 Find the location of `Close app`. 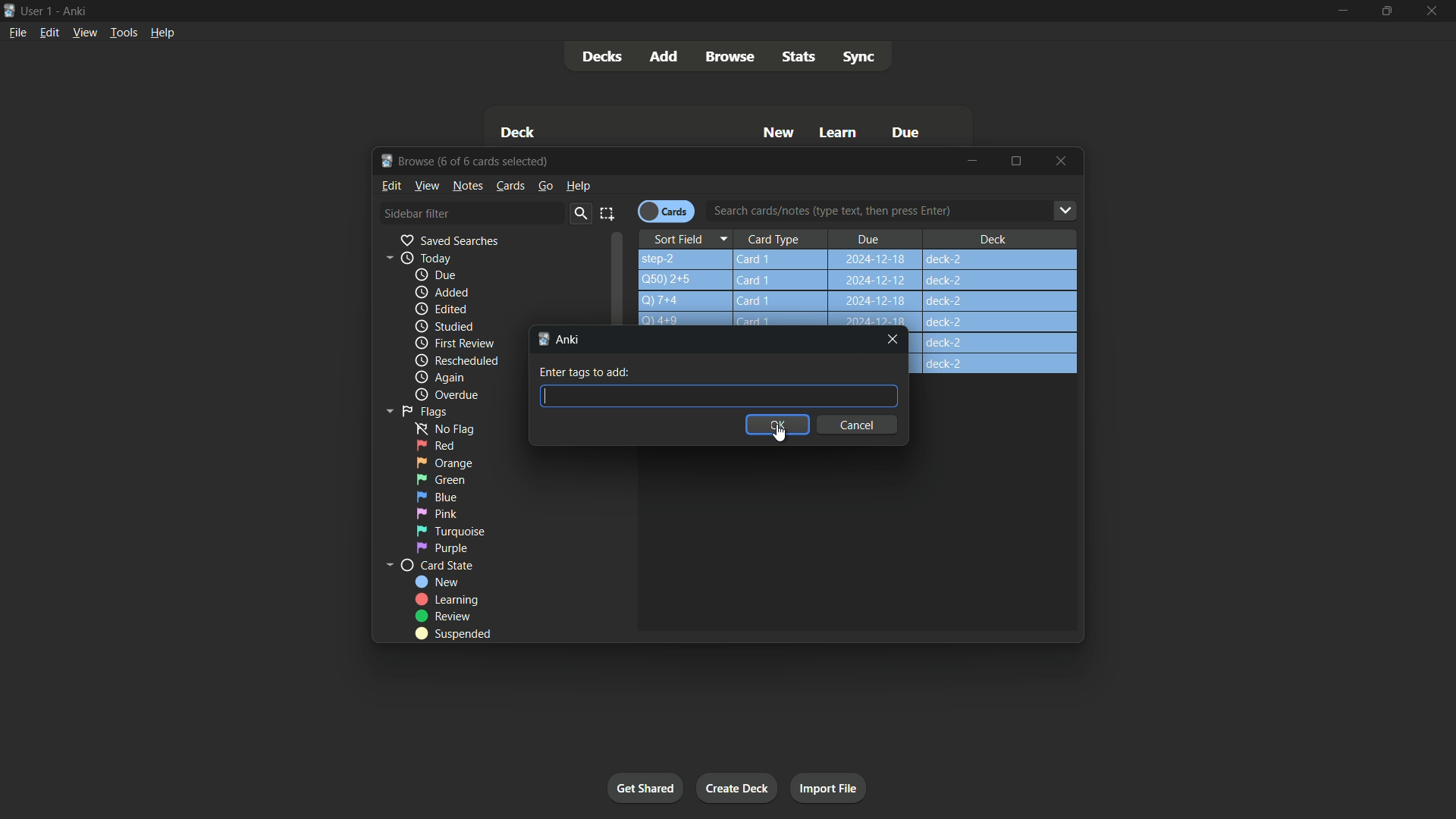

Close app is located at coordinates (1436, 11).